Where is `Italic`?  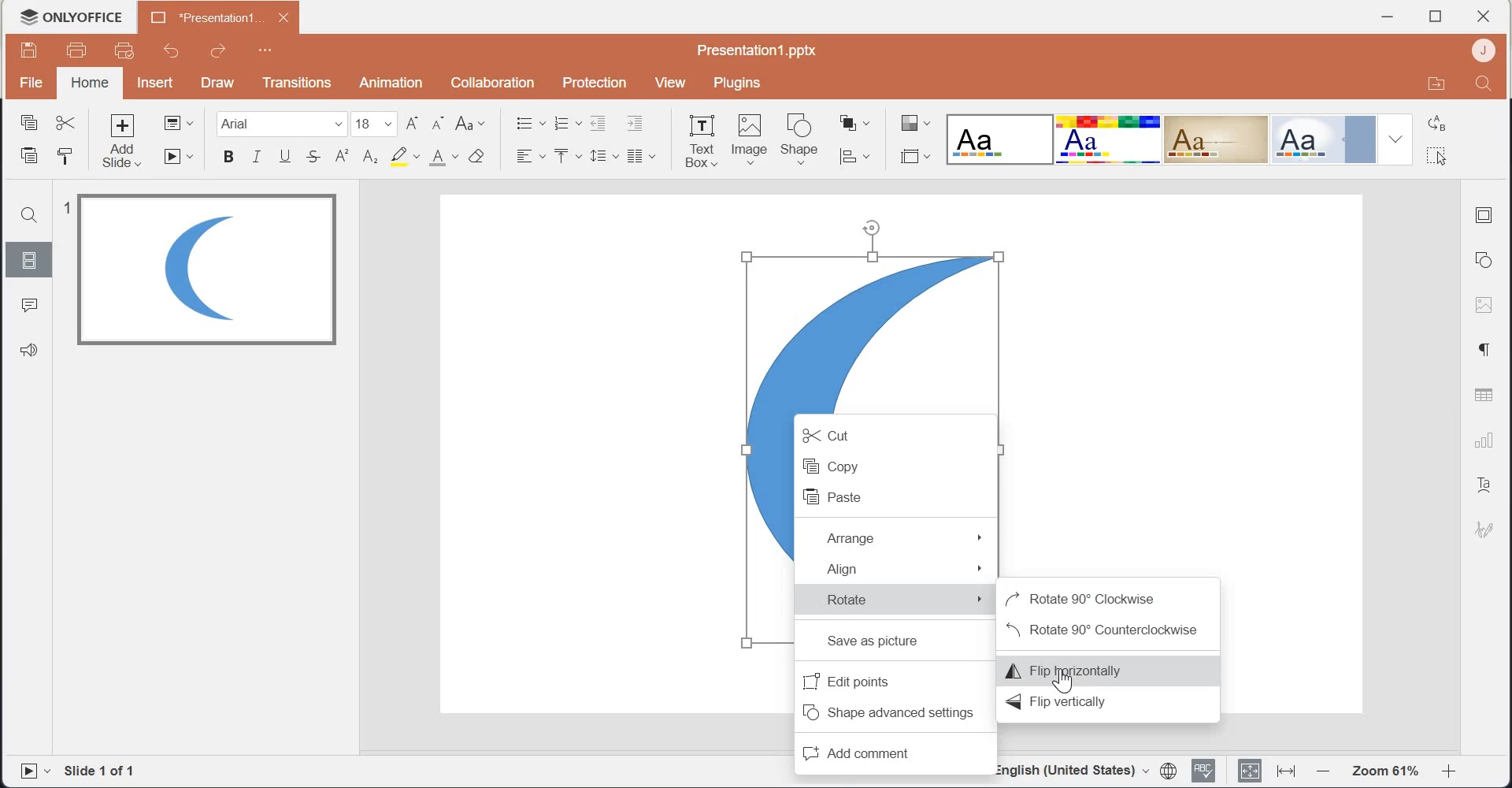
Italic is located at coordinates (258, 157).